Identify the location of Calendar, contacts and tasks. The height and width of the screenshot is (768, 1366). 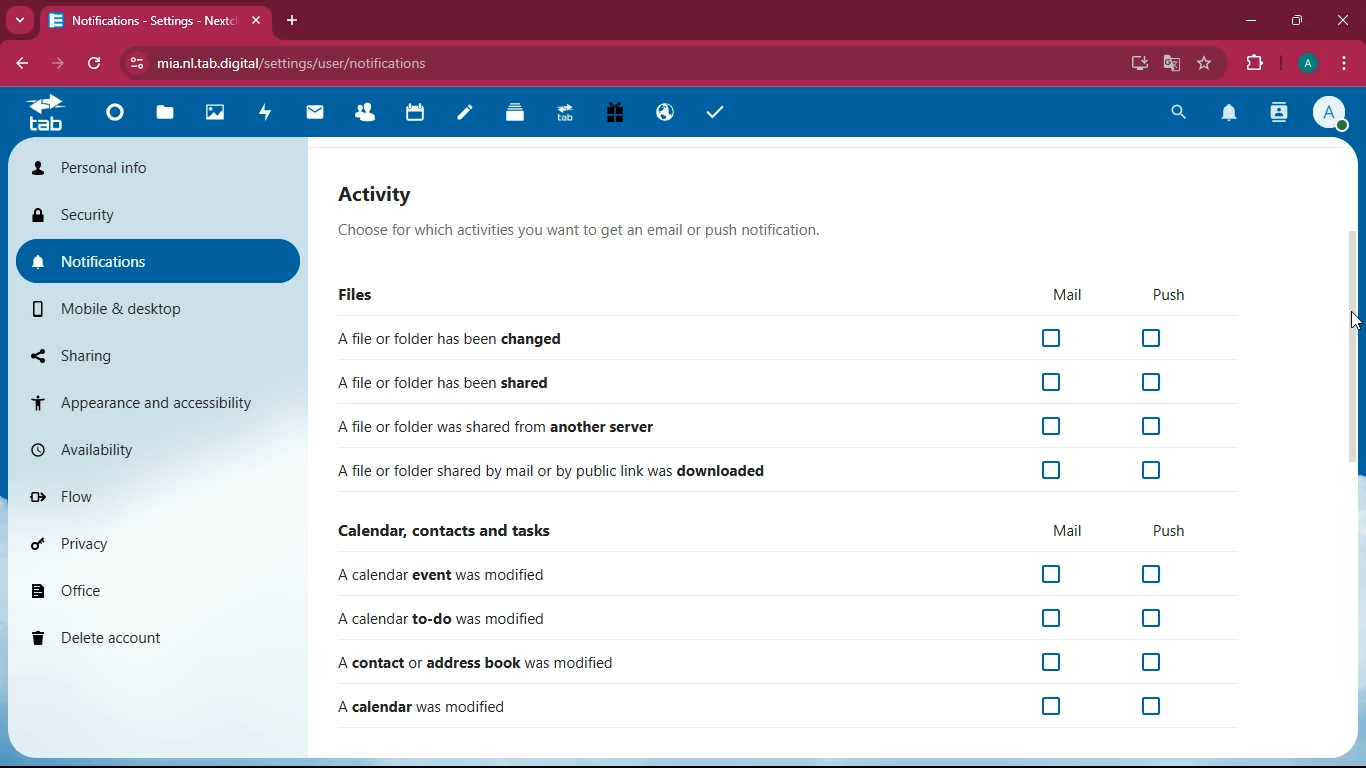
(451, 530).